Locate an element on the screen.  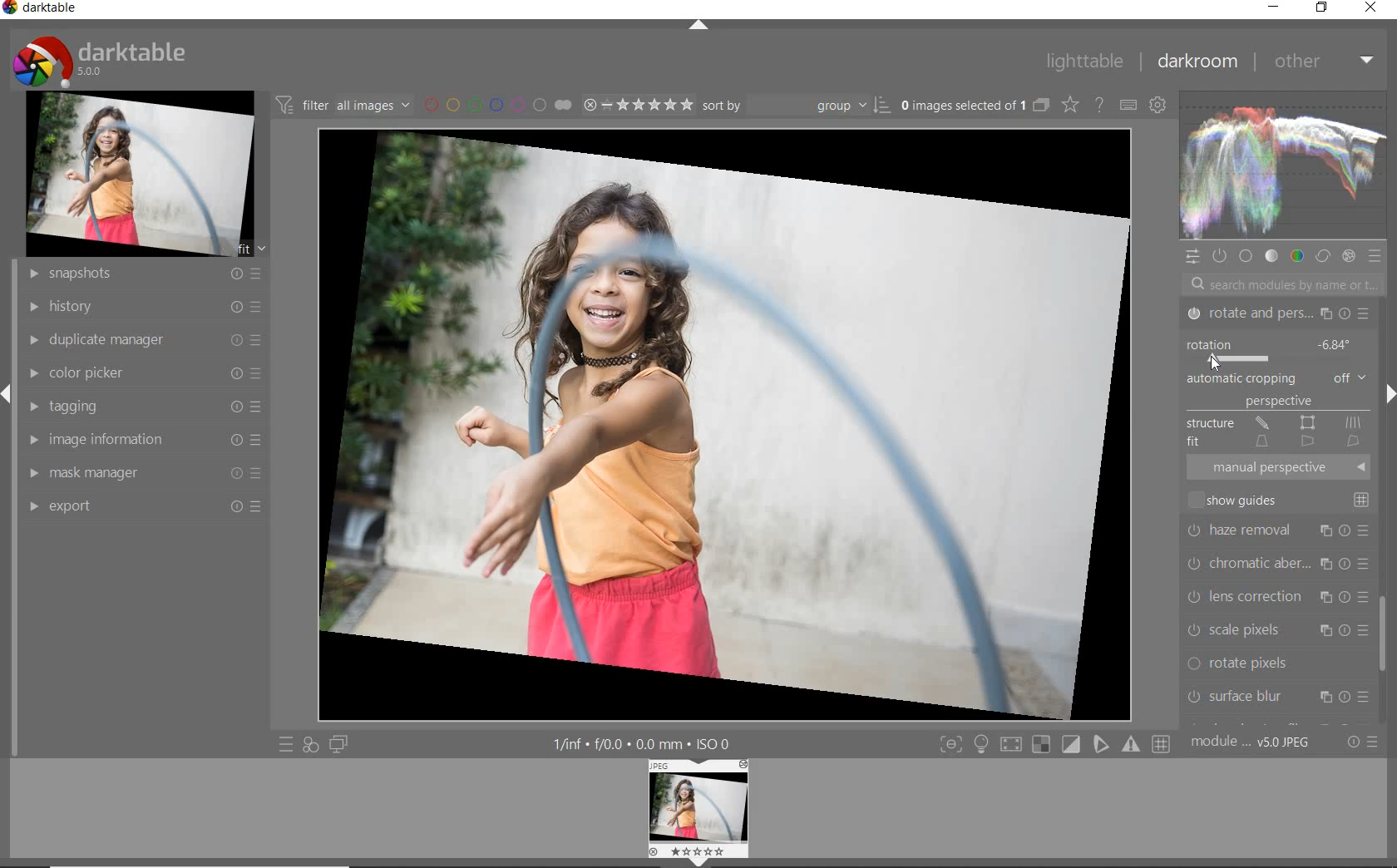
toggle mode is located at coordinates (1054, 744).